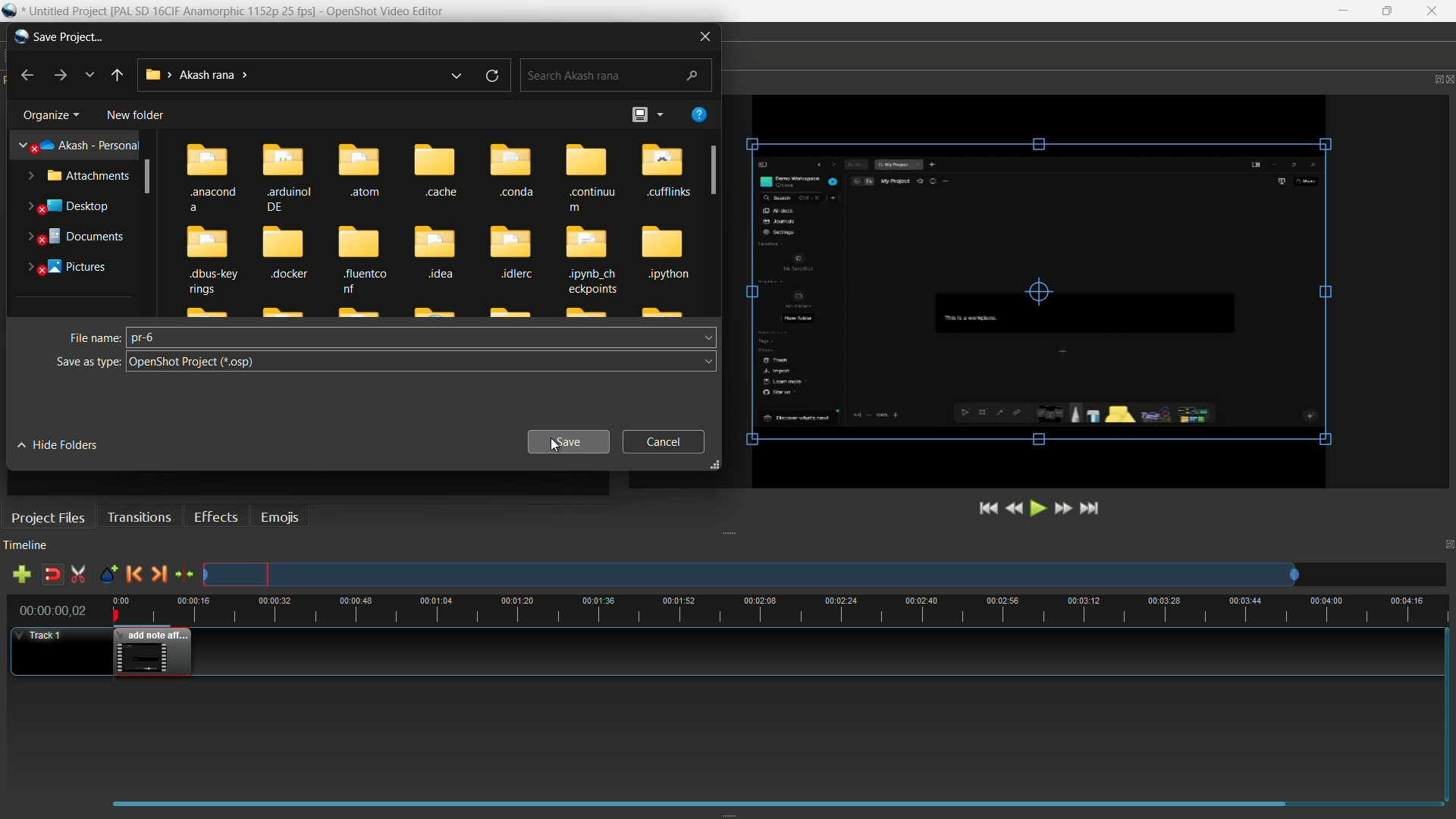 The width and height of the screenshot is (1456, 819). What do you see at coordinates (1016, 508) in the screenshot?
I see `rewind` at bounding box center [1016, 508].